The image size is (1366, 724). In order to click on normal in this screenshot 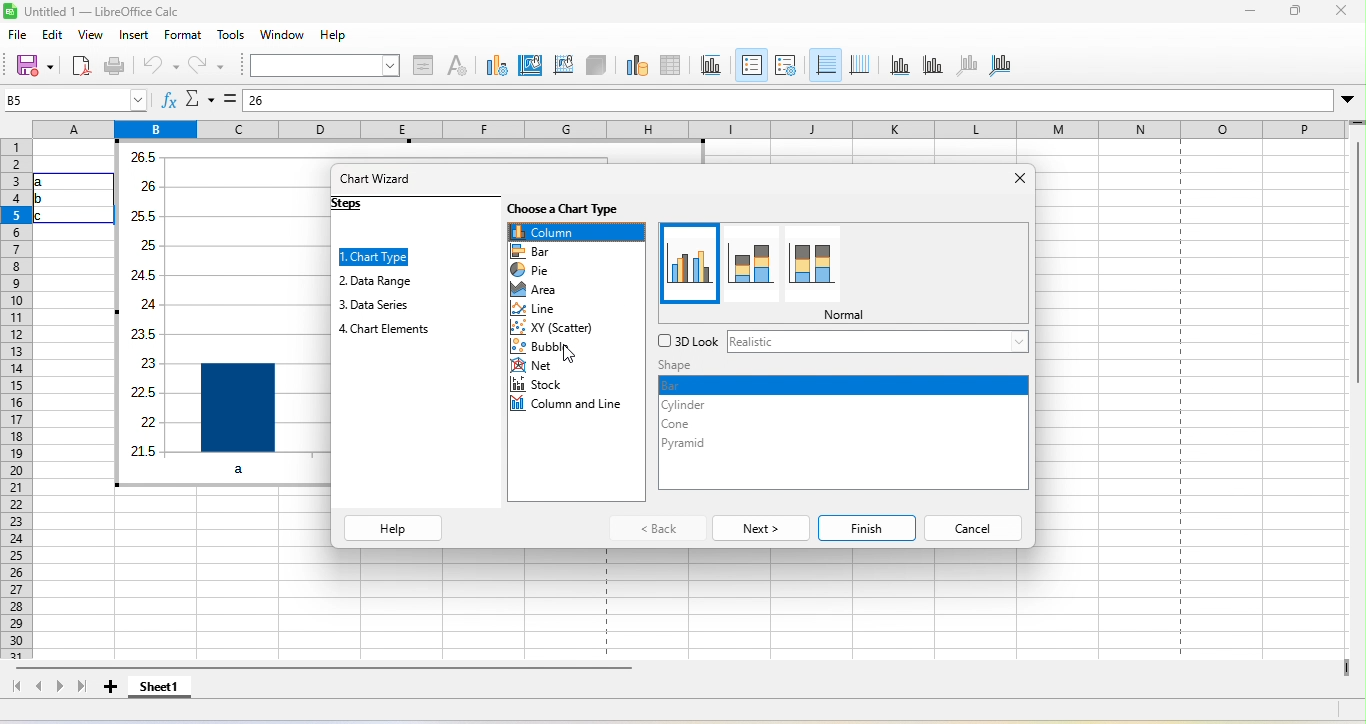, I will do `click(687, 264)`.